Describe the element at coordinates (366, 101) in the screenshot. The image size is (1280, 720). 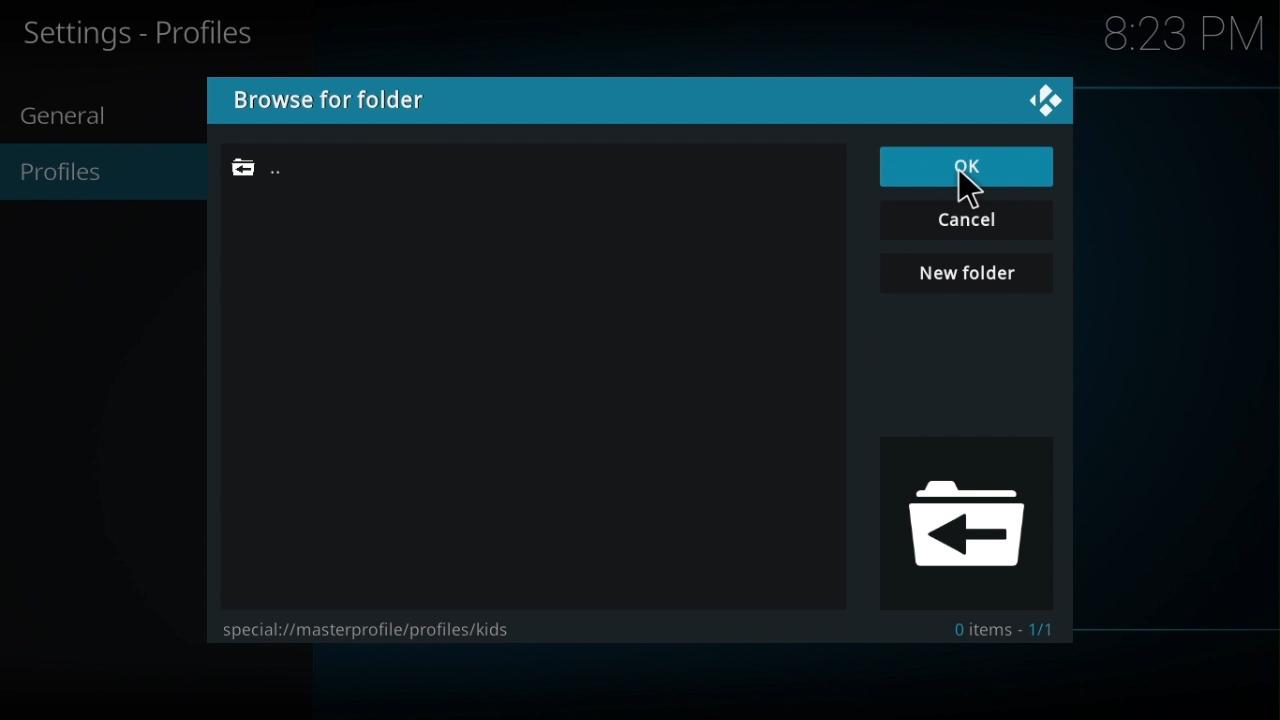
I see `Browse for folder` at that location.